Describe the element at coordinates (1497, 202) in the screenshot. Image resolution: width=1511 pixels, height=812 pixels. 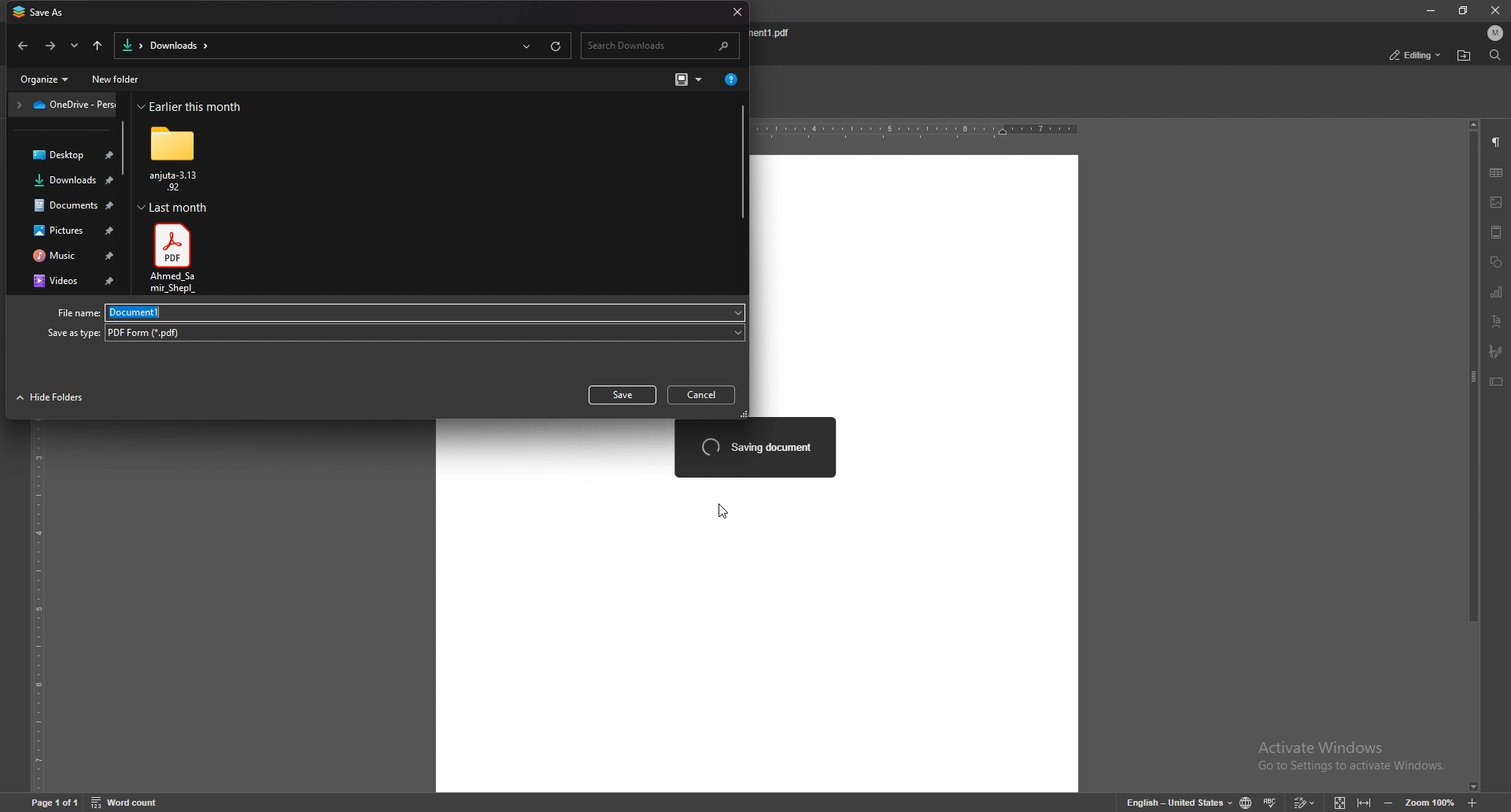
I see `image` at that location.